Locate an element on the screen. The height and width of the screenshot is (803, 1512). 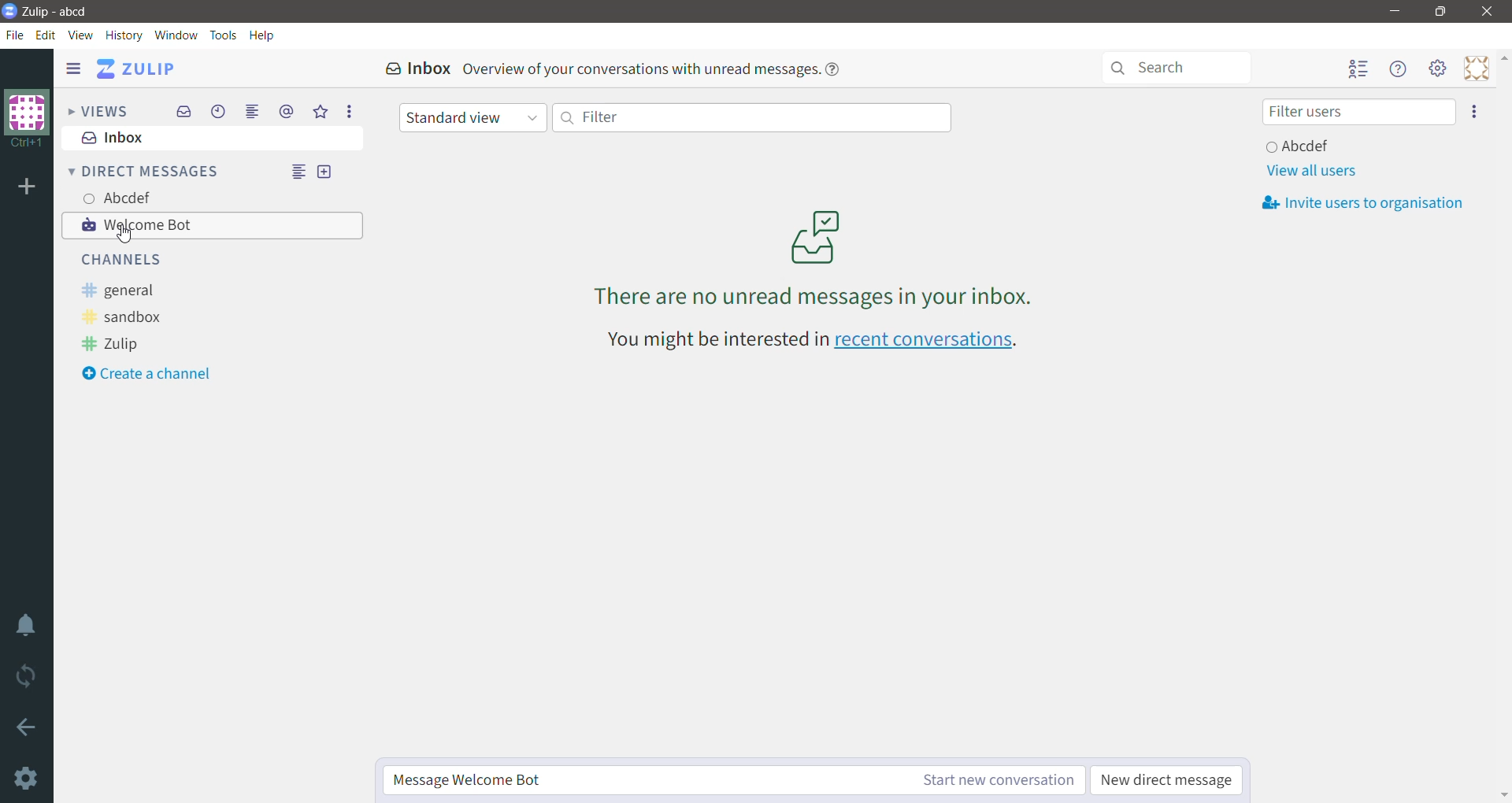
New direct message is located at coordinates (1165, 780).